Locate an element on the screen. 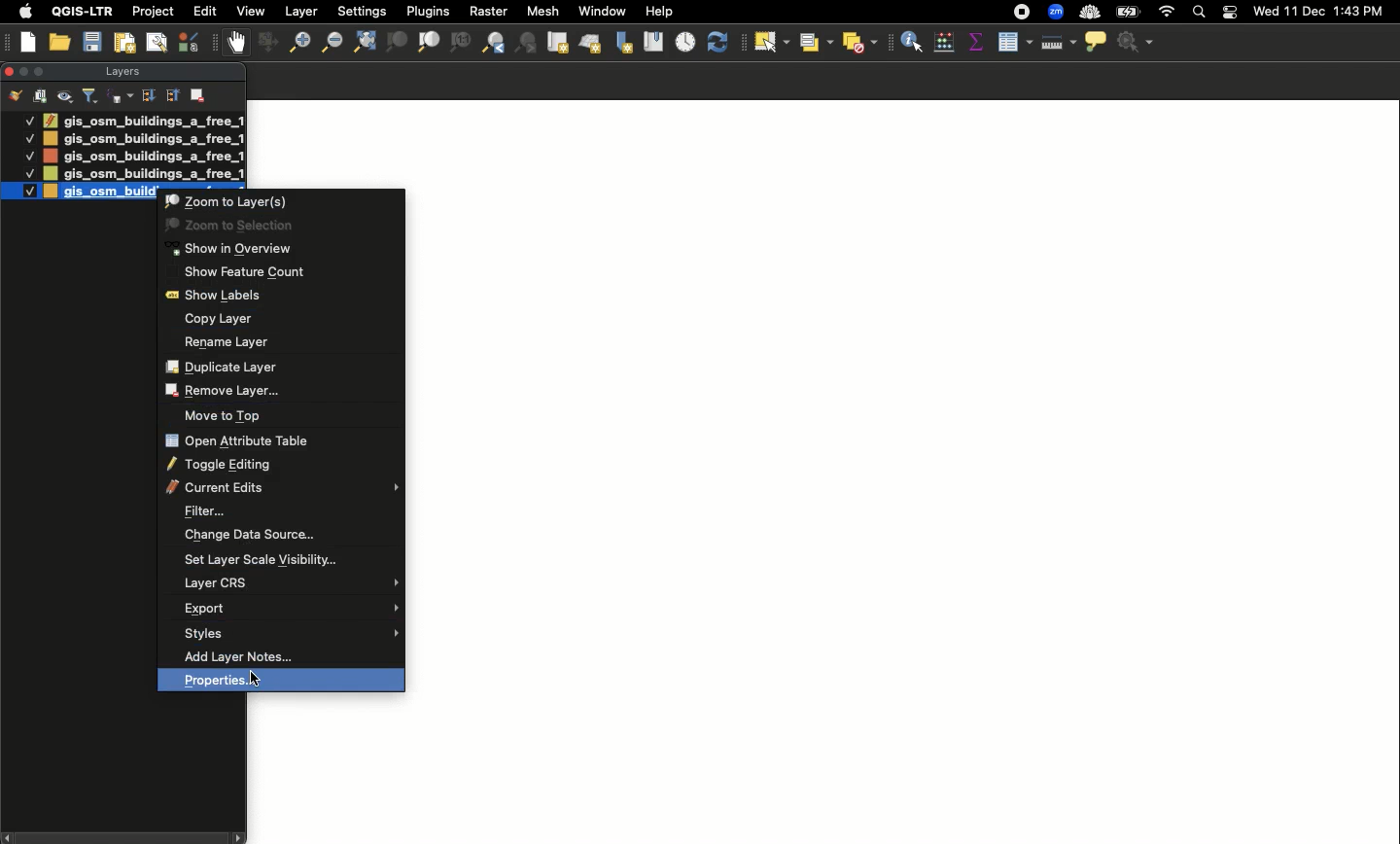  Temporal controller panel  is located at coordinates (686, 44).